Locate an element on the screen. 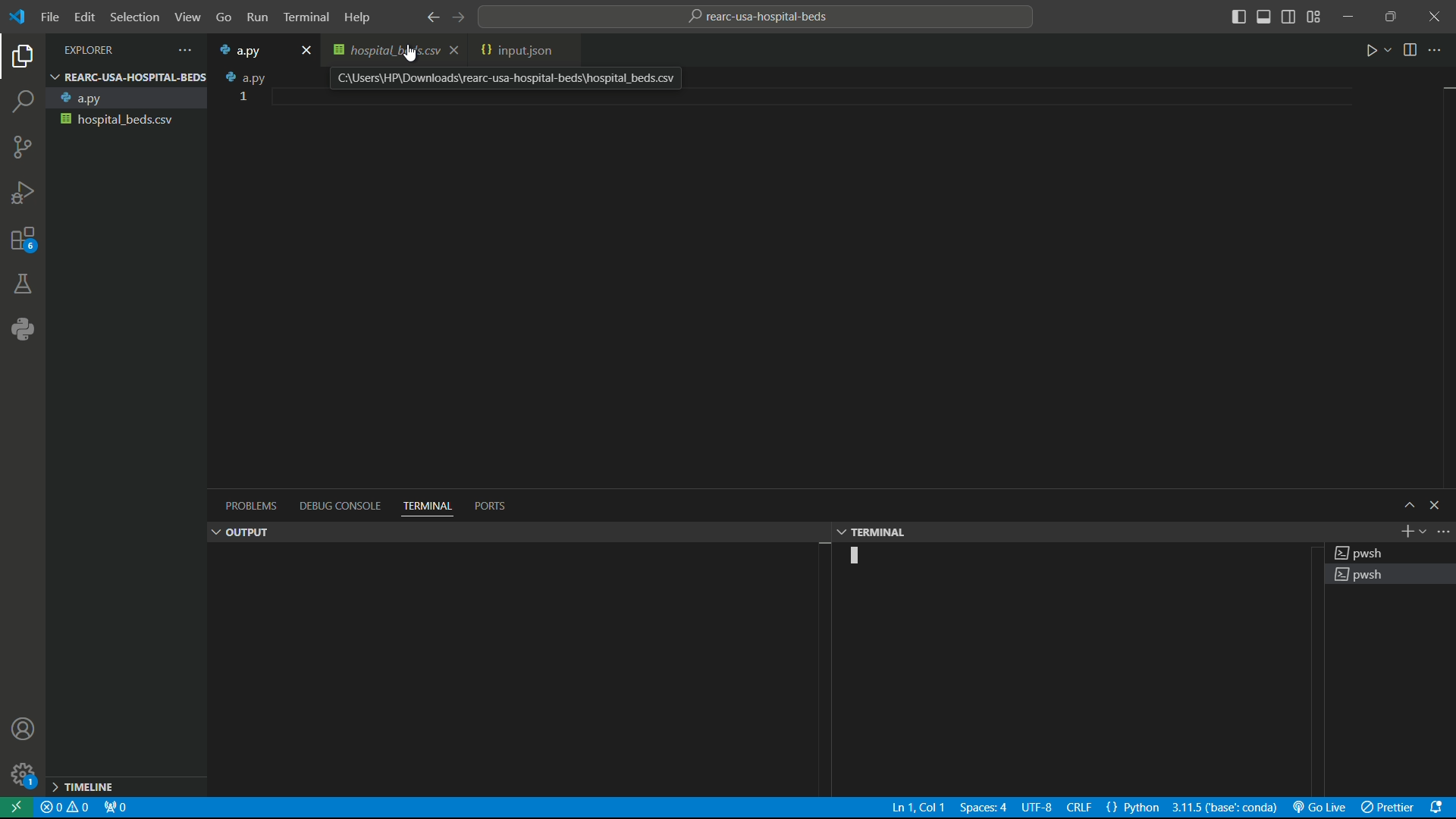 This screenshot has height=819, width=1456. problems tab is located at coordinates (249, 508).